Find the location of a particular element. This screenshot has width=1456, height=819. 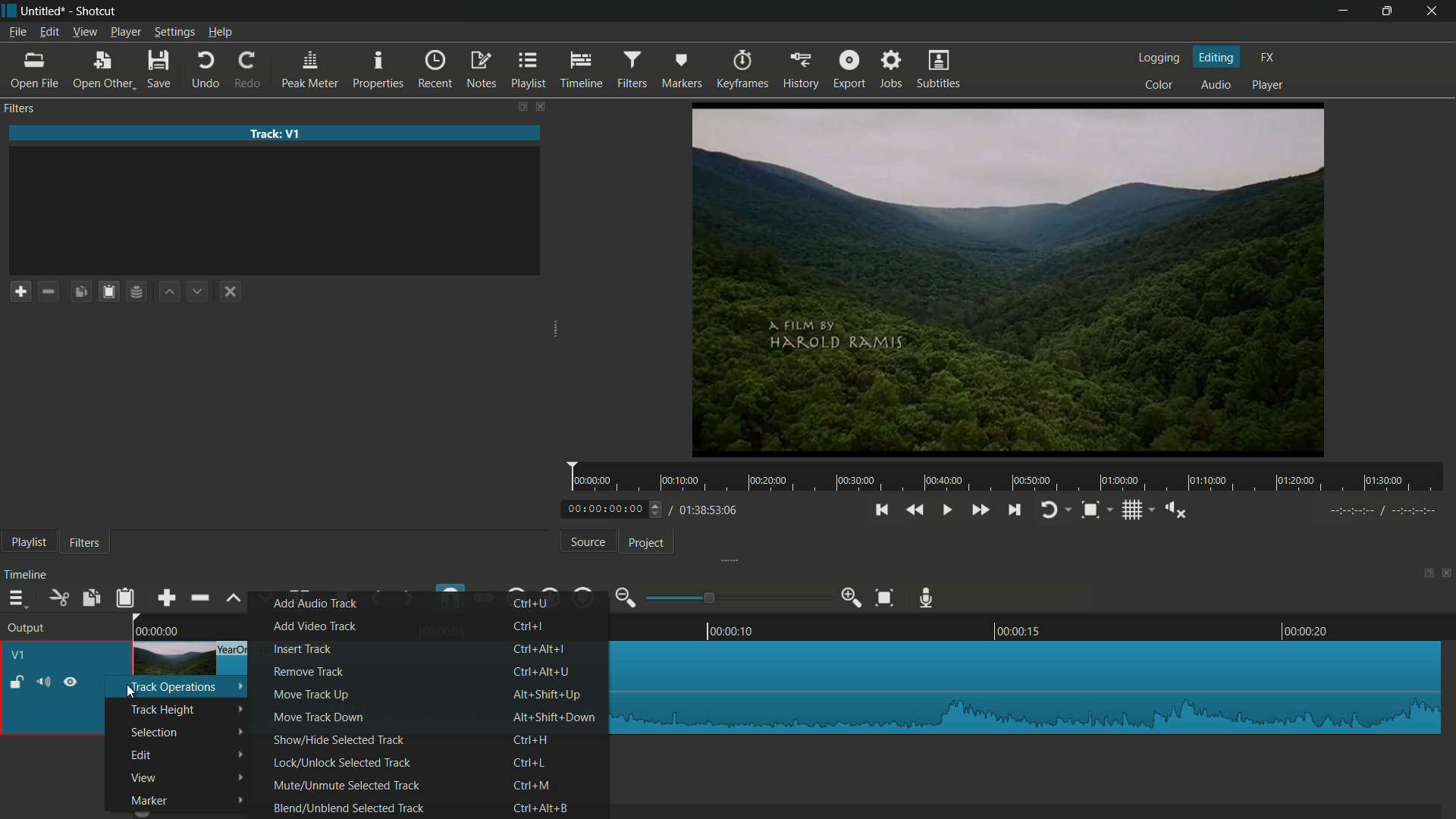

undo is located at coordinates (206, 71).